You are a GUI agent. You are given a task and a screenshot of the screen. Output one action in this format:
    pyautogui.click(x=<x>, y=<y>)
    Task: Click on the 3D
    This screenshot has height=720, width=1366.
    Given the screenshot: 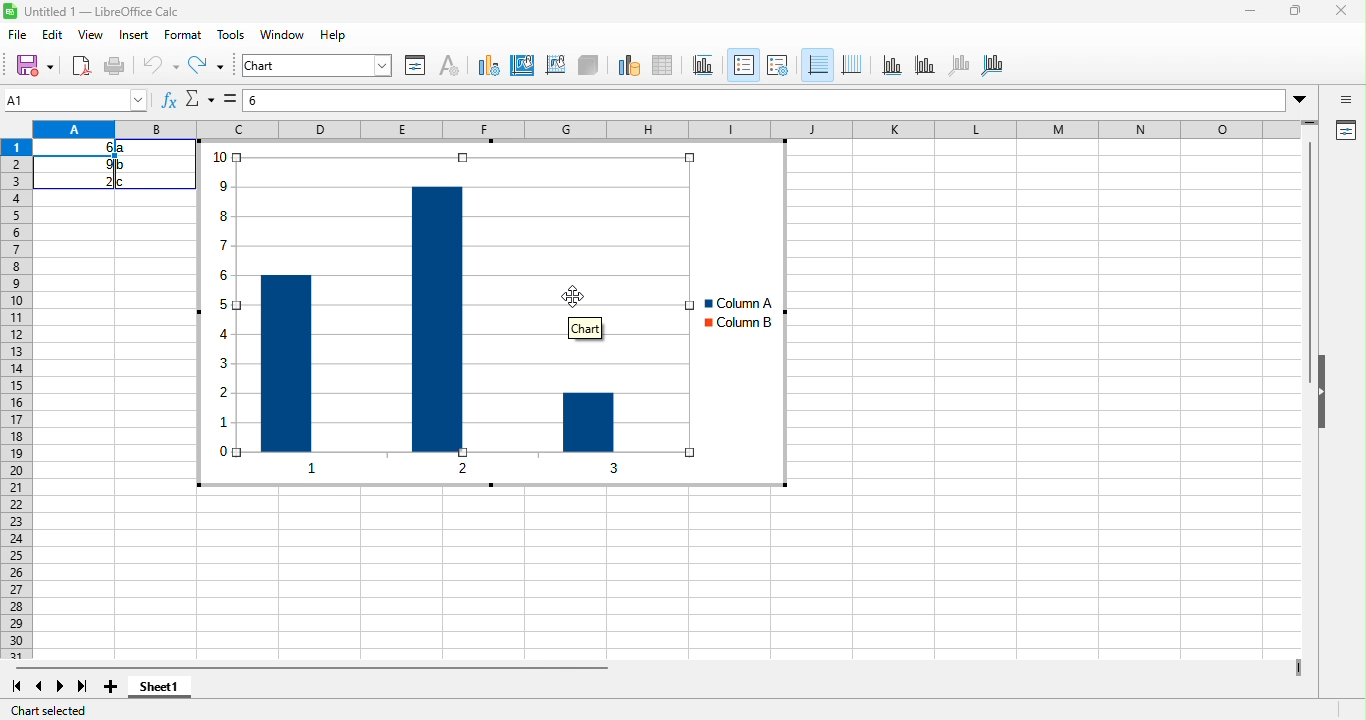 What is the action you would take?
    pyautogui.click(x=588, y=66)
    